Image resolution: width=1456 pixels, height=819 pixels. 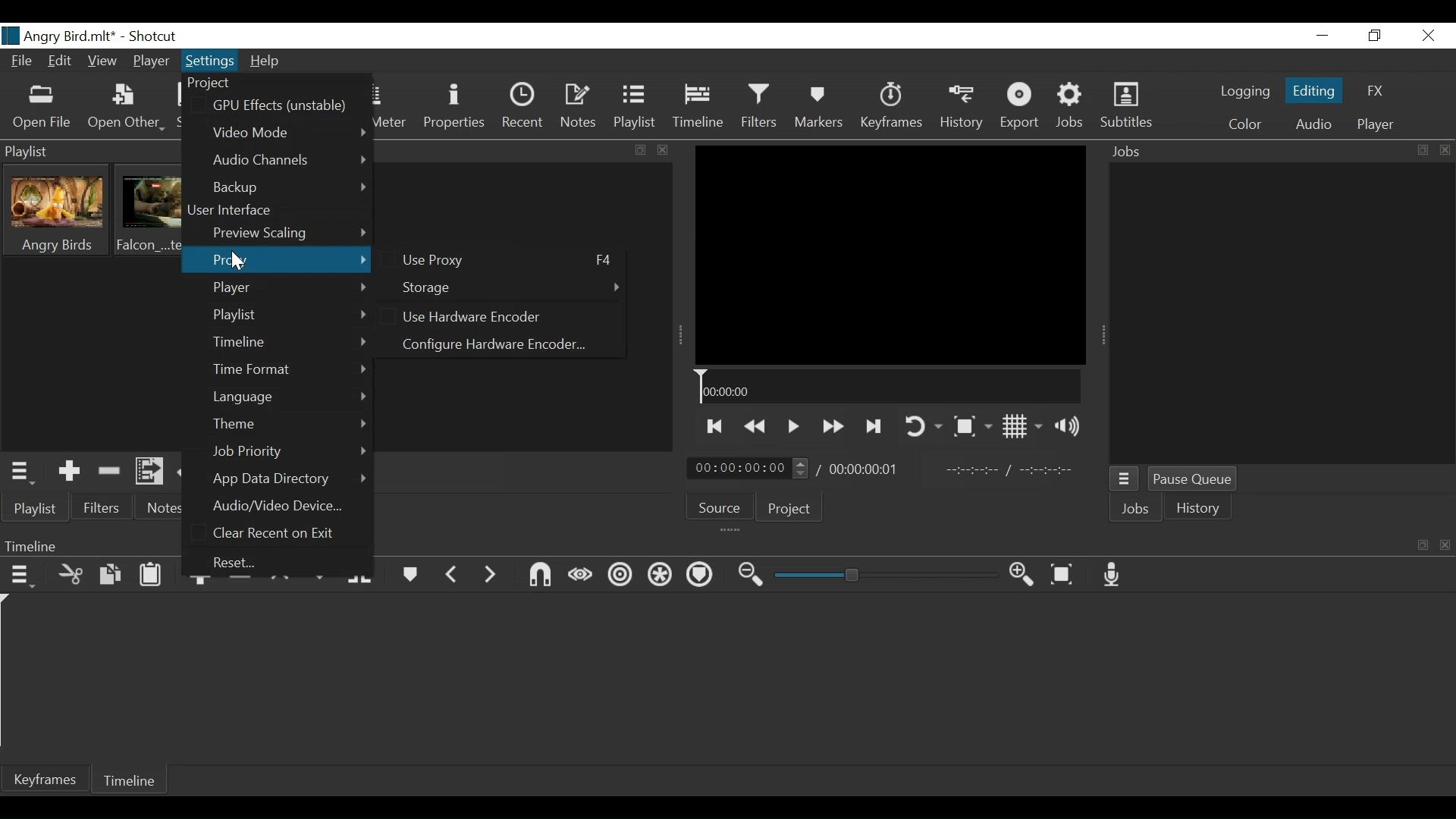 I want to click on Timeline, so click(x=699, y=107).